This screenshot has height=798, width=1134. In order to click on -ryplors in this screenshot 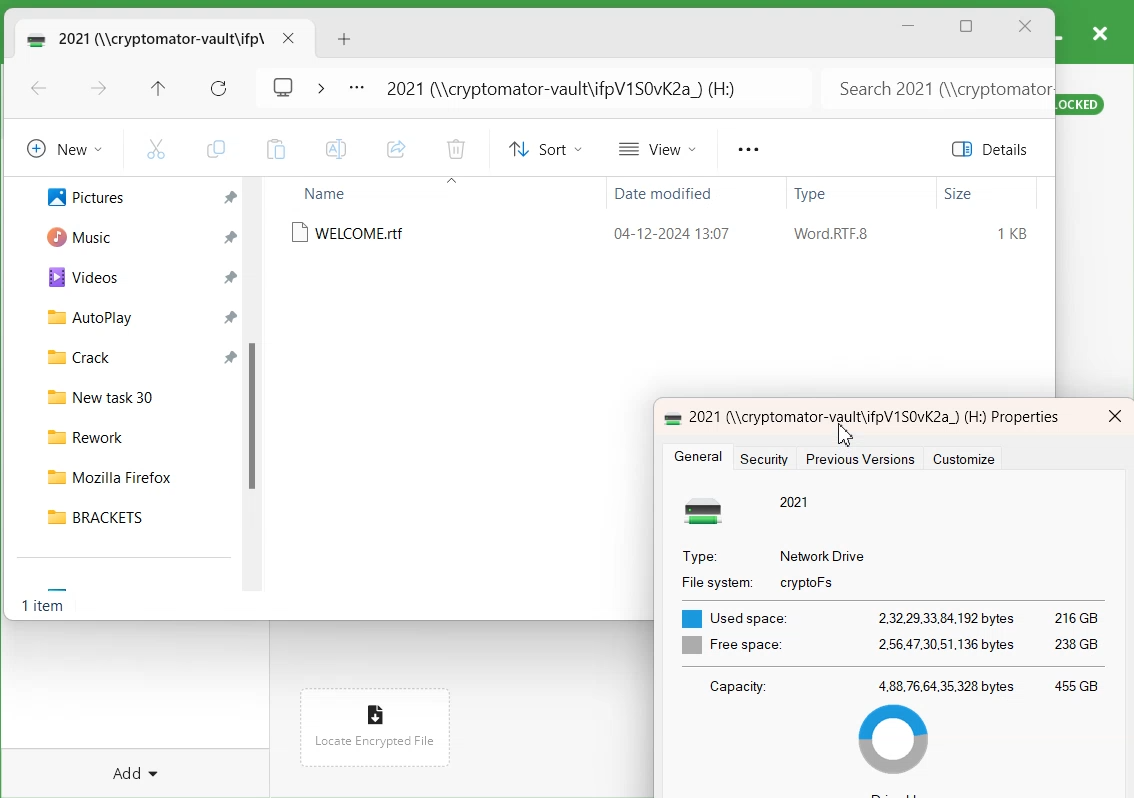, I will do `click(810, 582)`.